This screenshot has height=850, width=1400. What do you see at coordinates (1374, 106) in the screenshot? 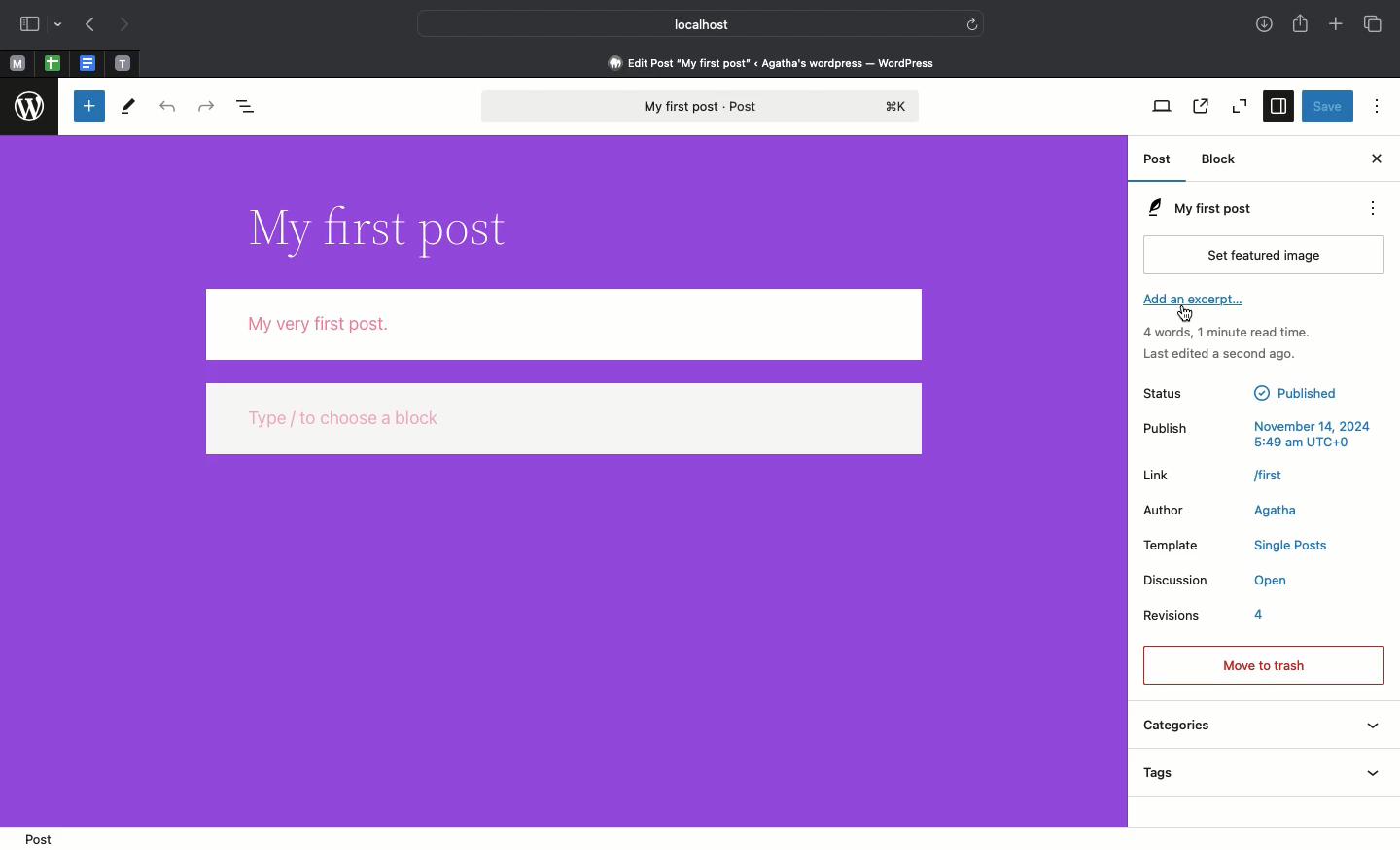
I see `Options` at bounding box center [1374, 106].